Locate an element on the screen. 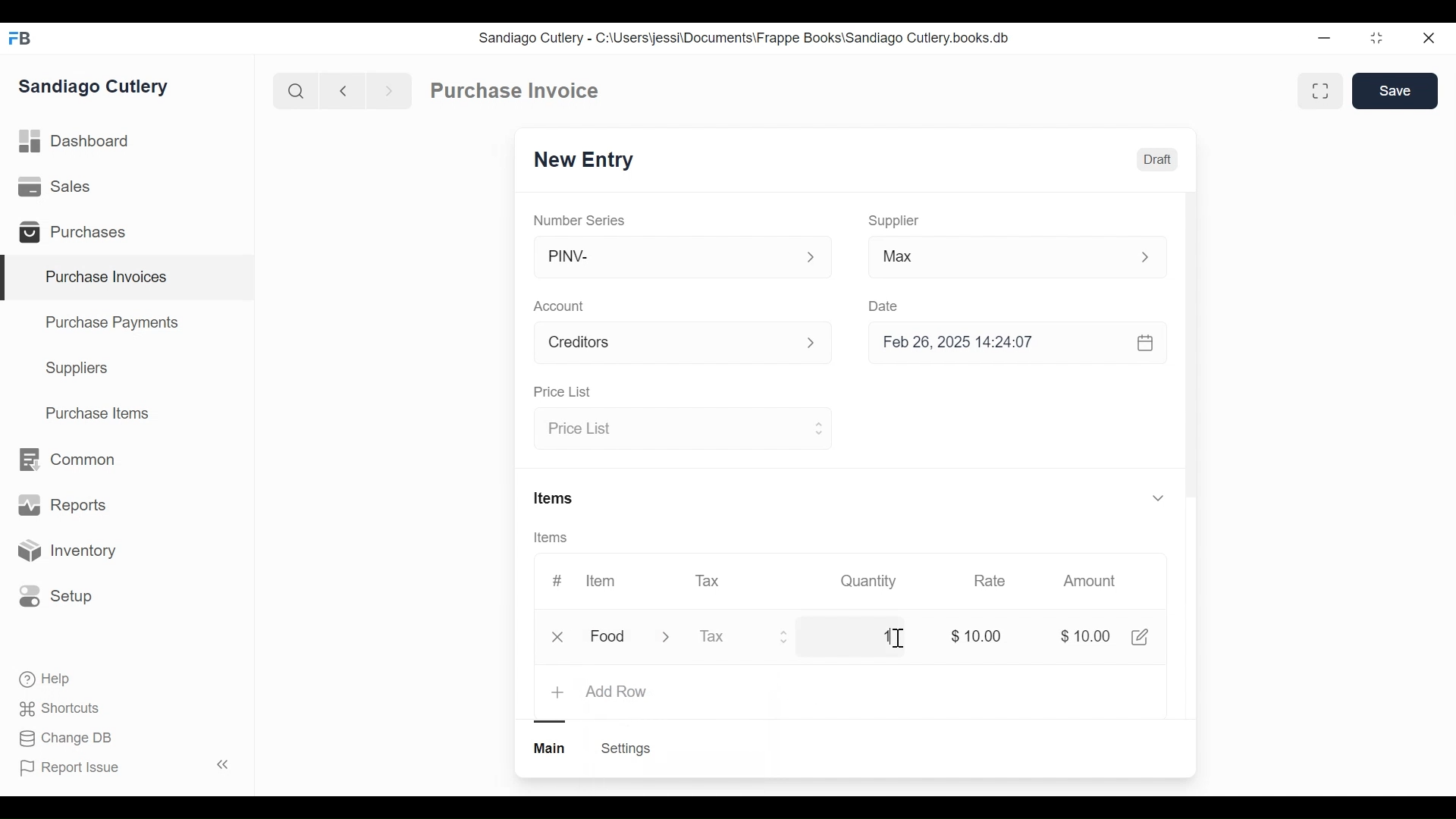 This screenshot has height=819, width=1456. Shortcuts is located at coordinates (61, 708).